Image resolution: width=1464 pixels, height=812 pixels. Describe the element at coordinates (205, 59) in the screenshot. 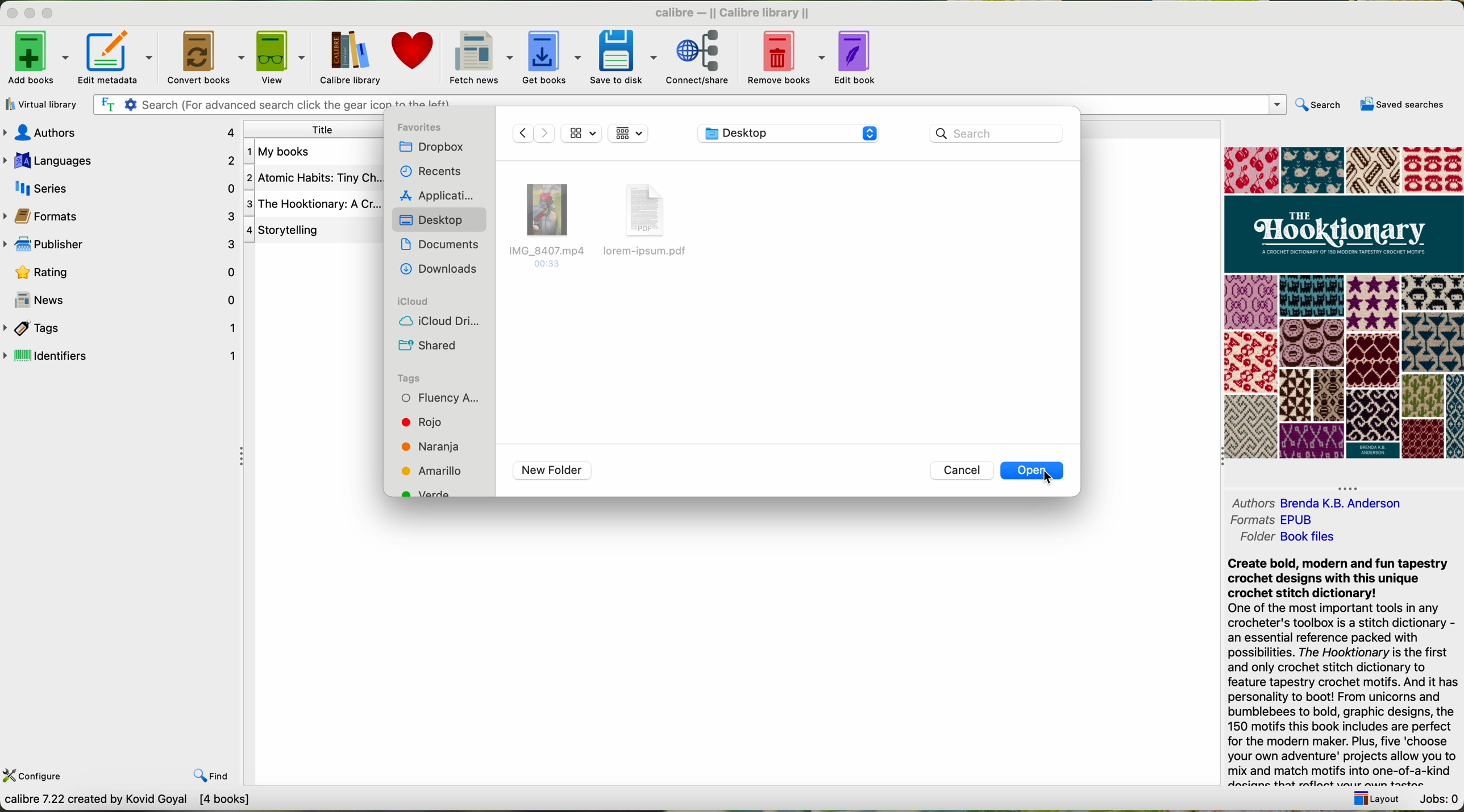

I see `convert books options` at that location.